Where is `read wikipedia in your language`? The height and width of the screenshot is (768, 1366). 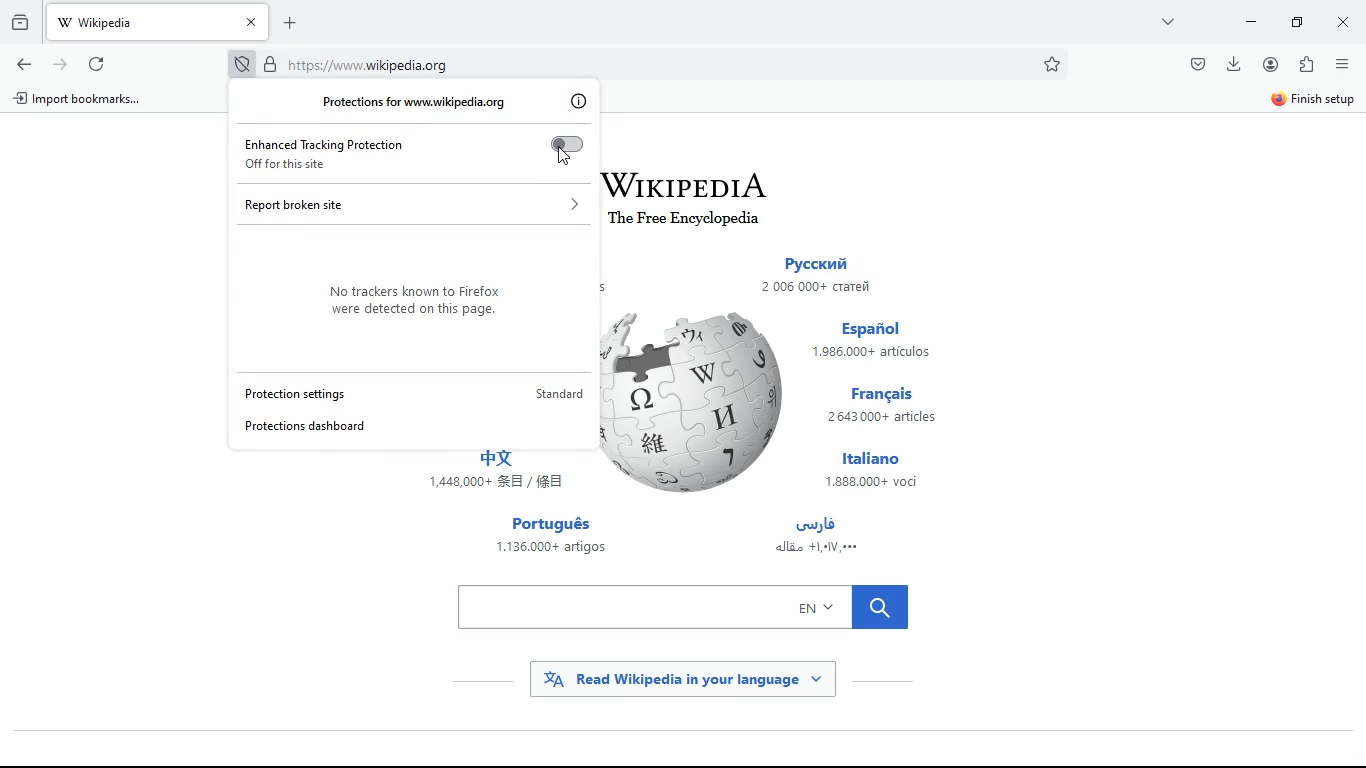
read wikipedia in your language is located at coordinates (681, 679).